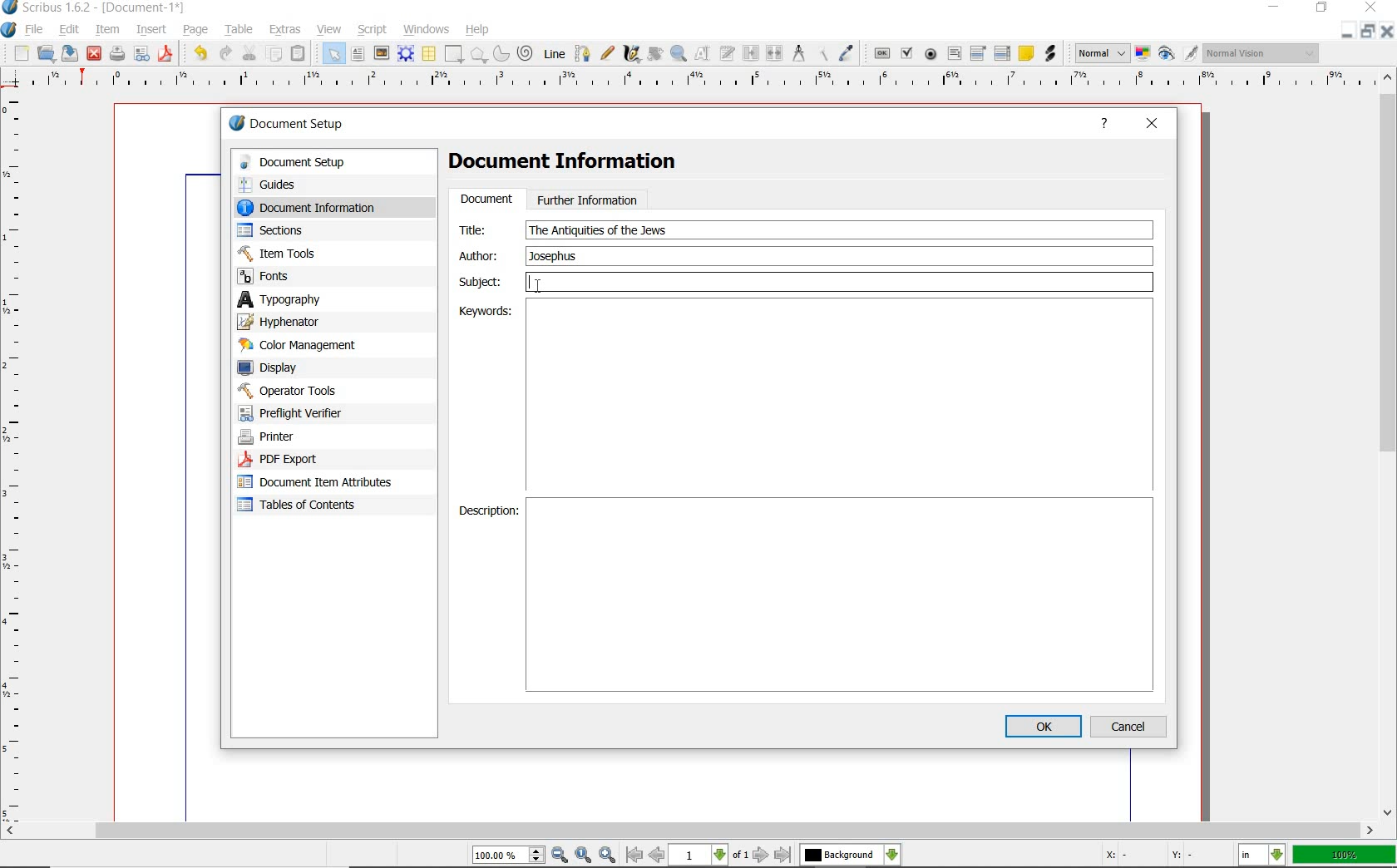  What do you see at coordinates (308, 459) in the screenshot?
I see `PDF Export` at bounding box center [308, 459].